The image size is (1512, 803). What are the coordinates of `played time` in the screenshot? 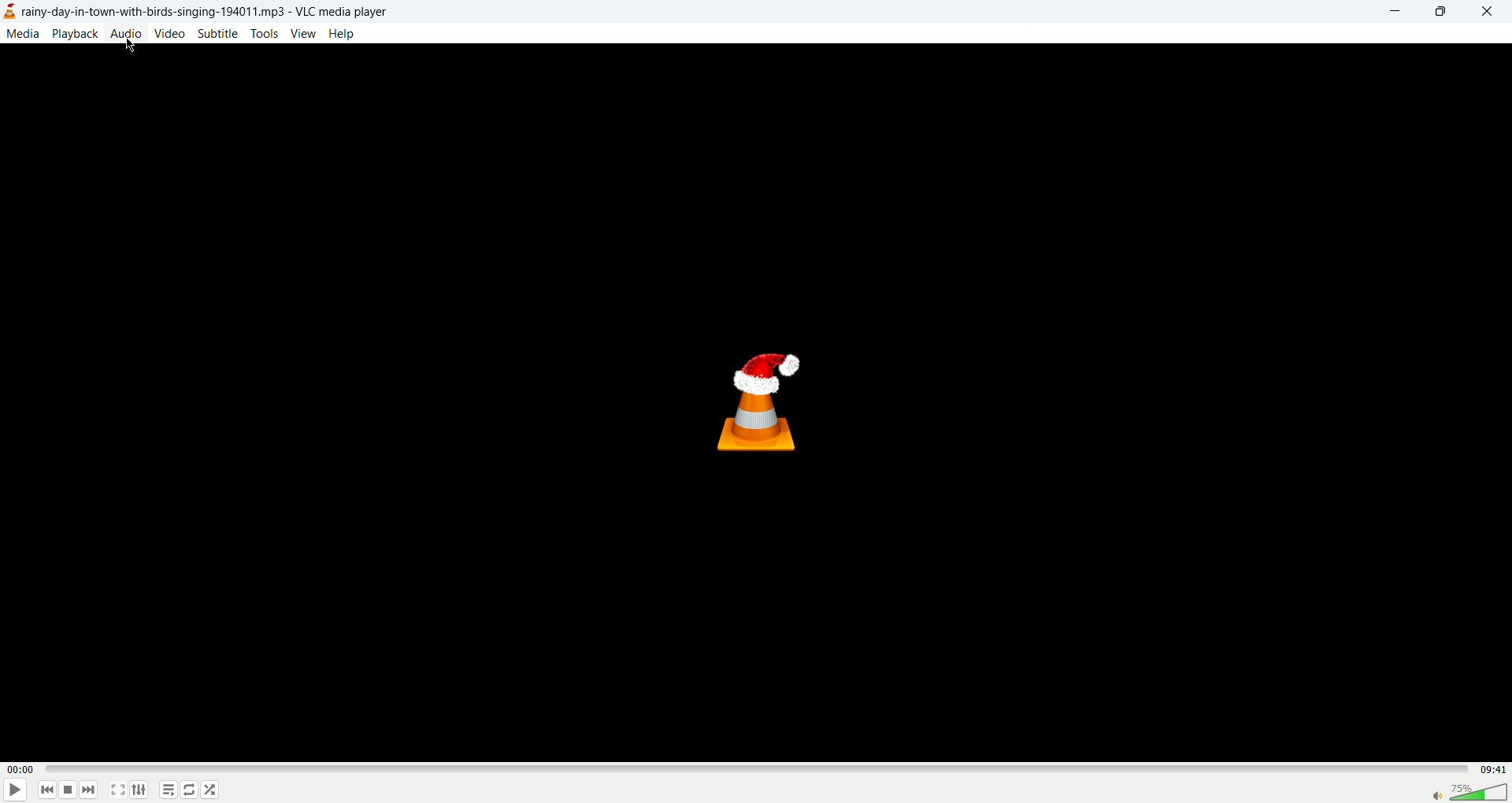 It's located at (20, 768).